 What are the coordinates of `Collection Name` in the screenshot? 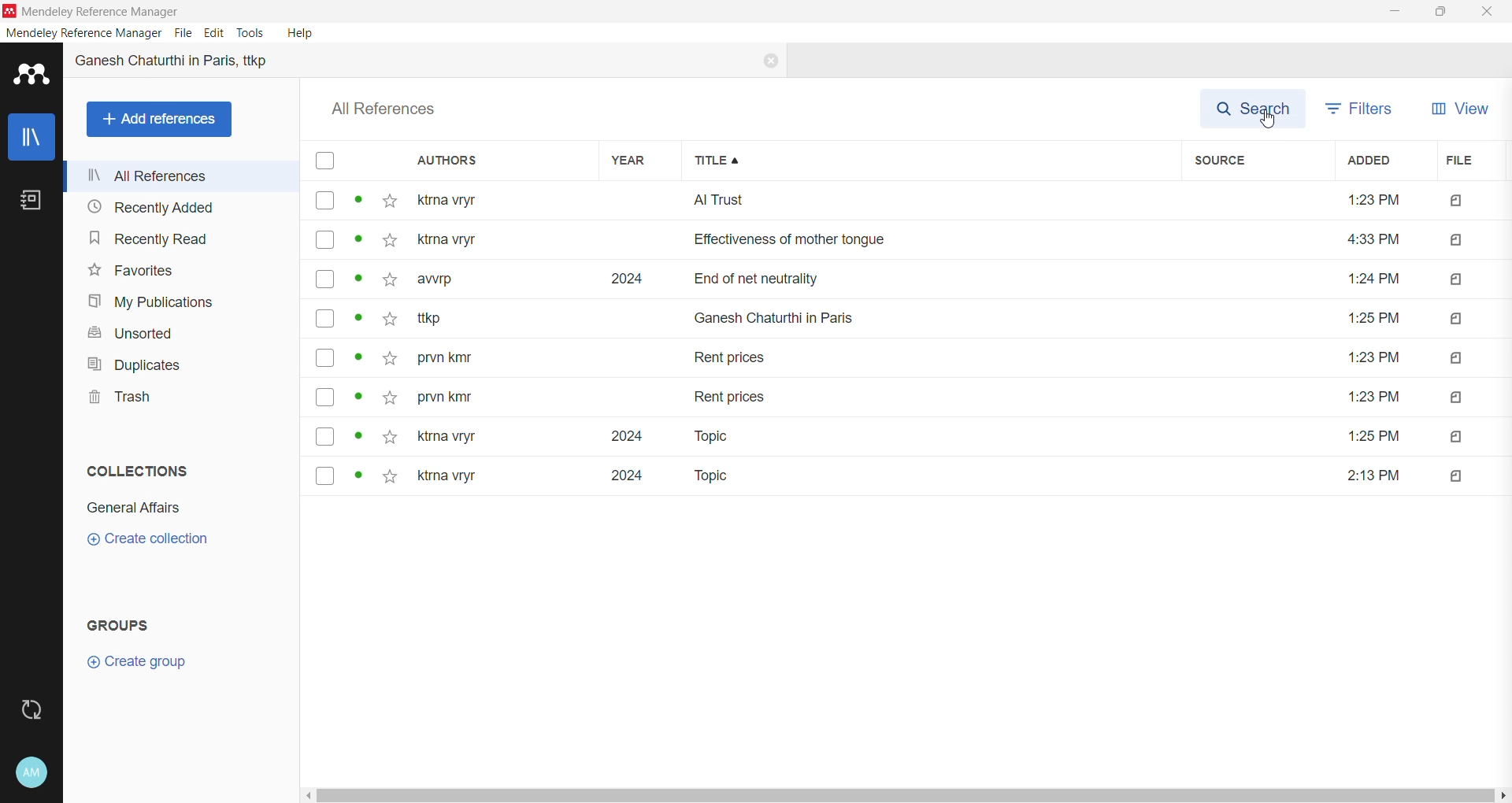 It's located at (133, 509).